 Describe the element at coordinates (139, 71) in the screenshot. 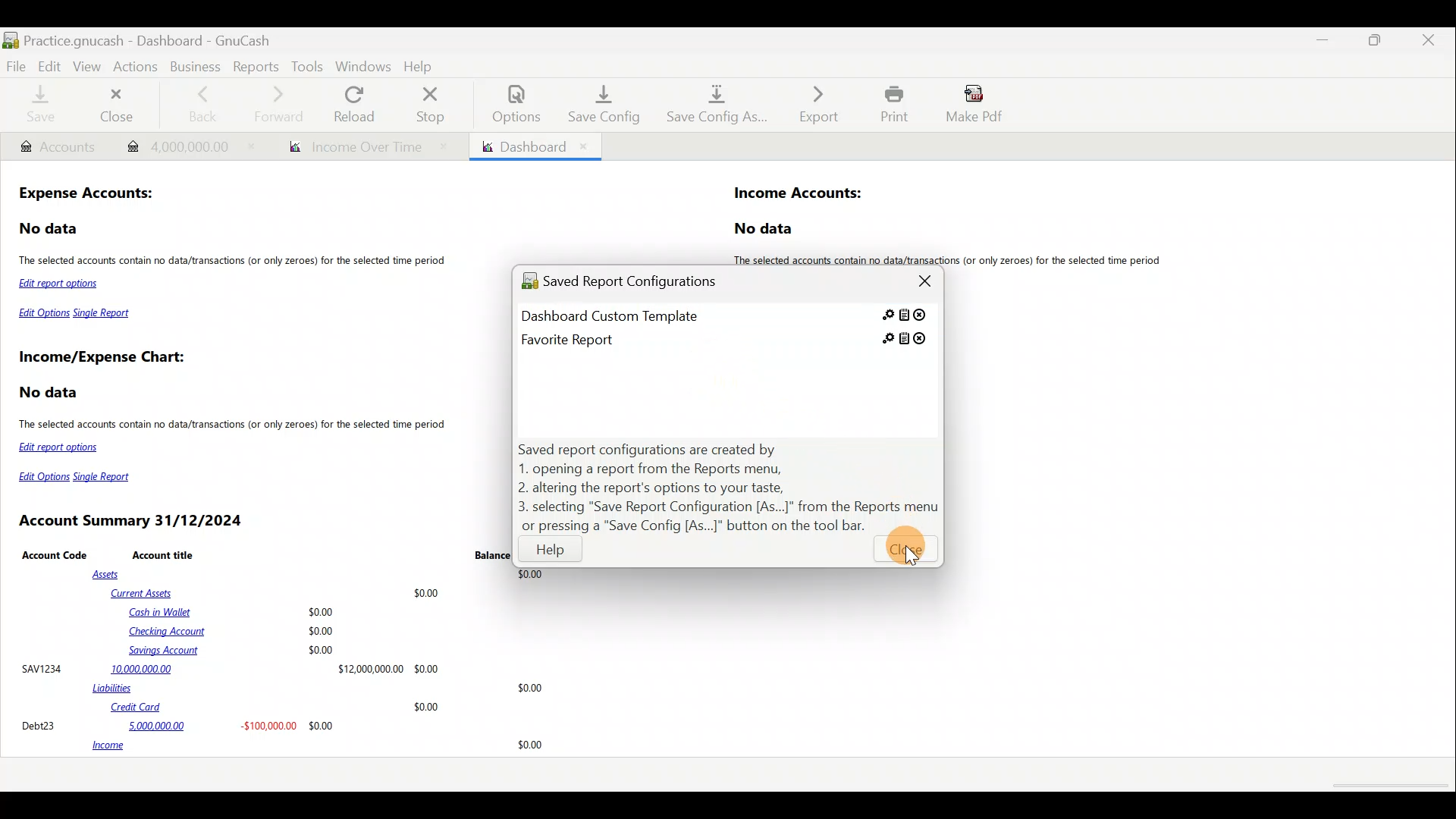

I see `Actions` at that location.